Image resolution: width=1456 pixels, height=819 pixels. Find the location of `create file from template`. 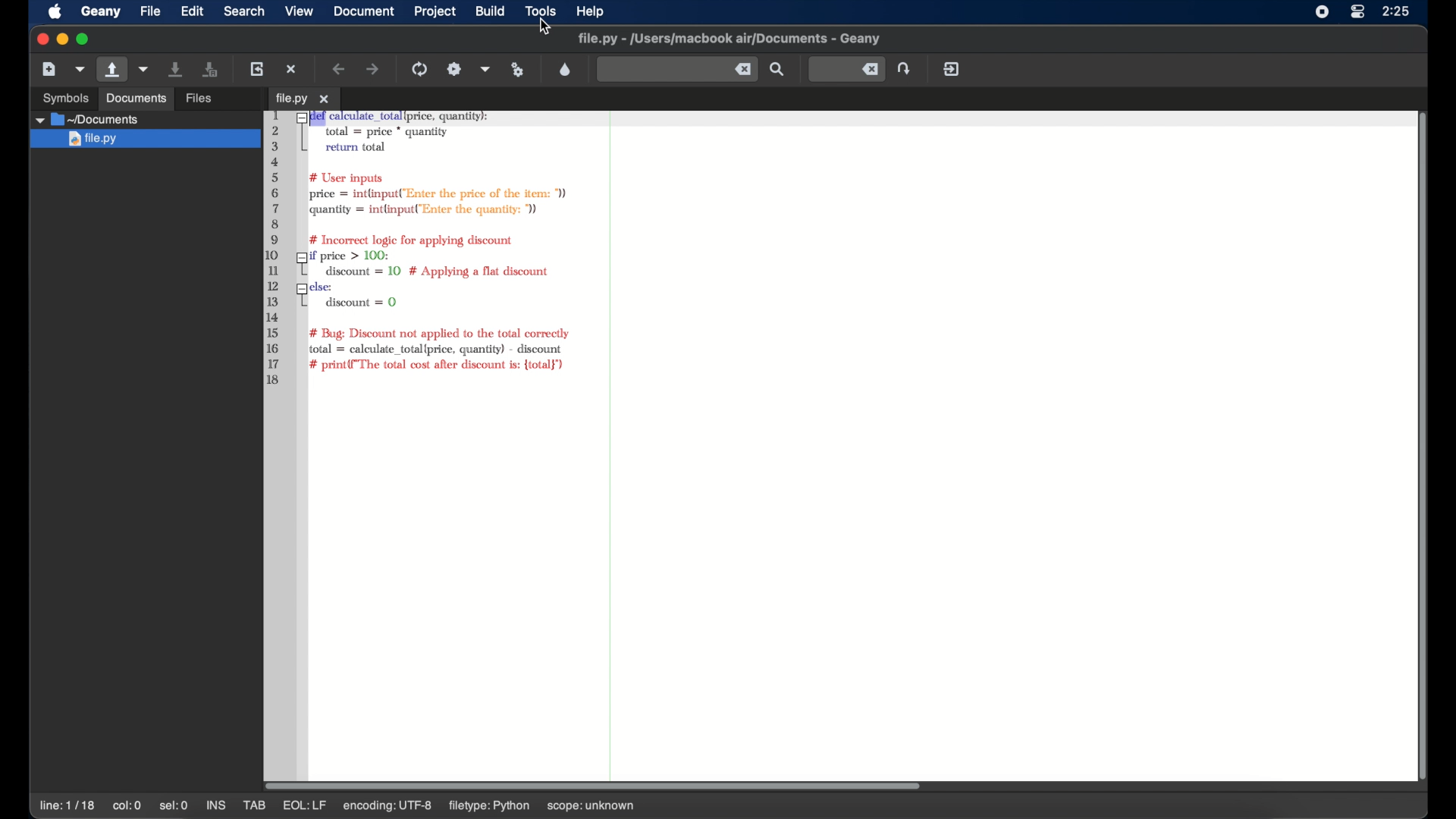

create file from template is located at coordinates (81, 69).